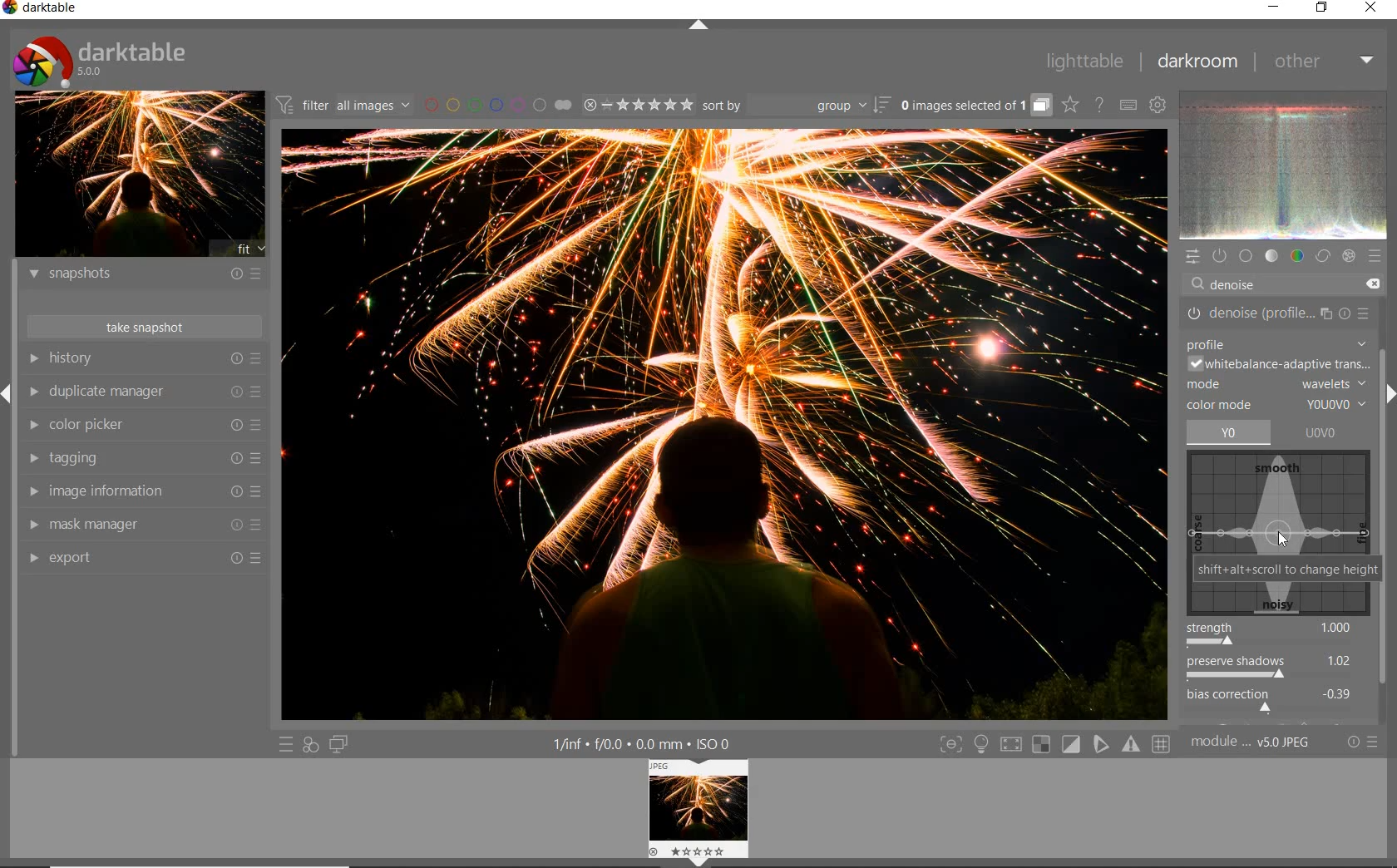 This screenshot has height=868, width=1397. What do you see at coordinates (795, 106) in the screenshot?
I see `sort` at bounding box center [795, 106].